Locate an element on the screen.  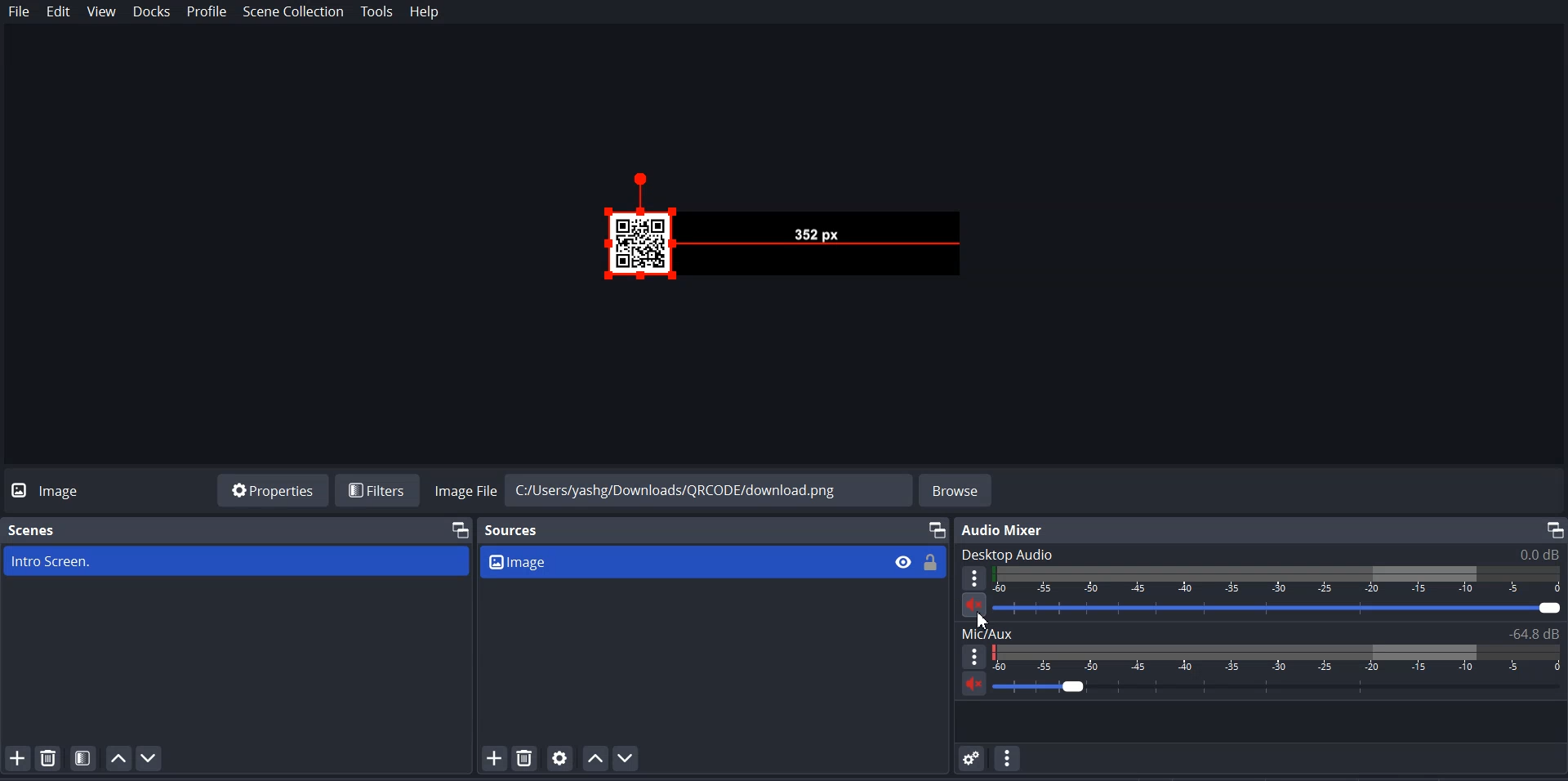
Scene is located at coordinates (34, 530).